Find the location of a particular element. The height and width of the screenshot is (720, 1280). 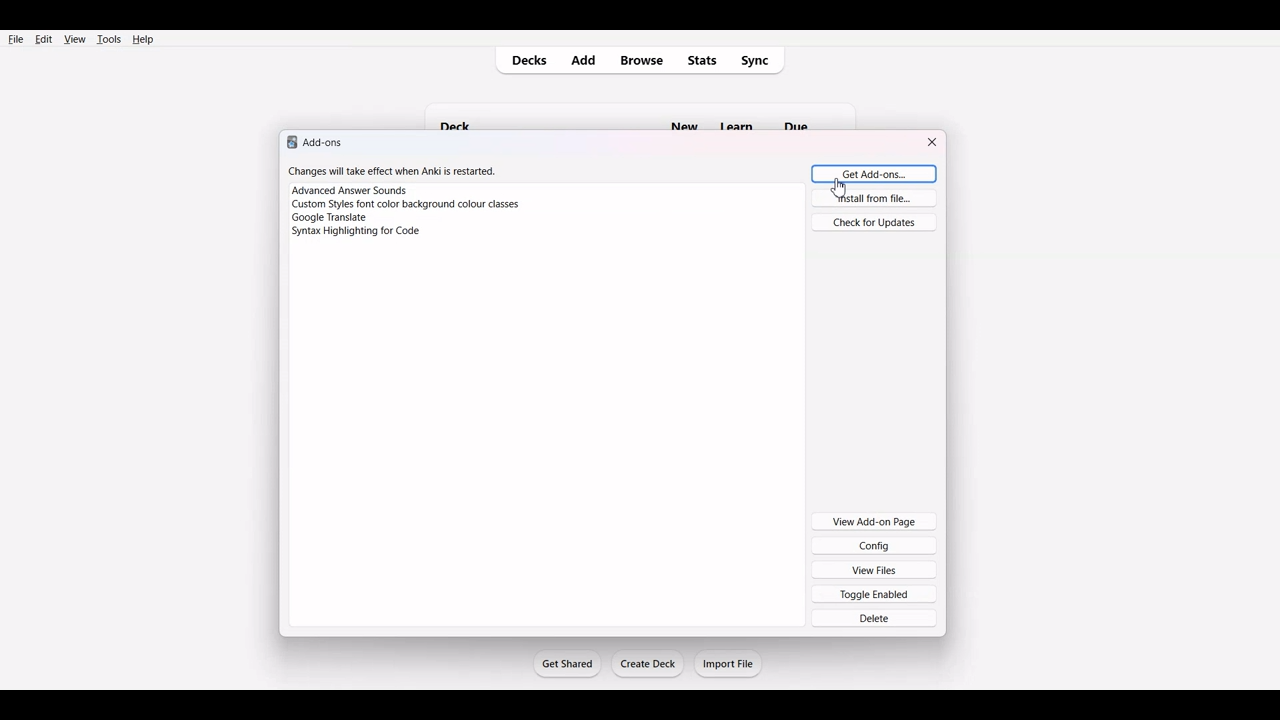

Close is located at coordinates (934, 142).